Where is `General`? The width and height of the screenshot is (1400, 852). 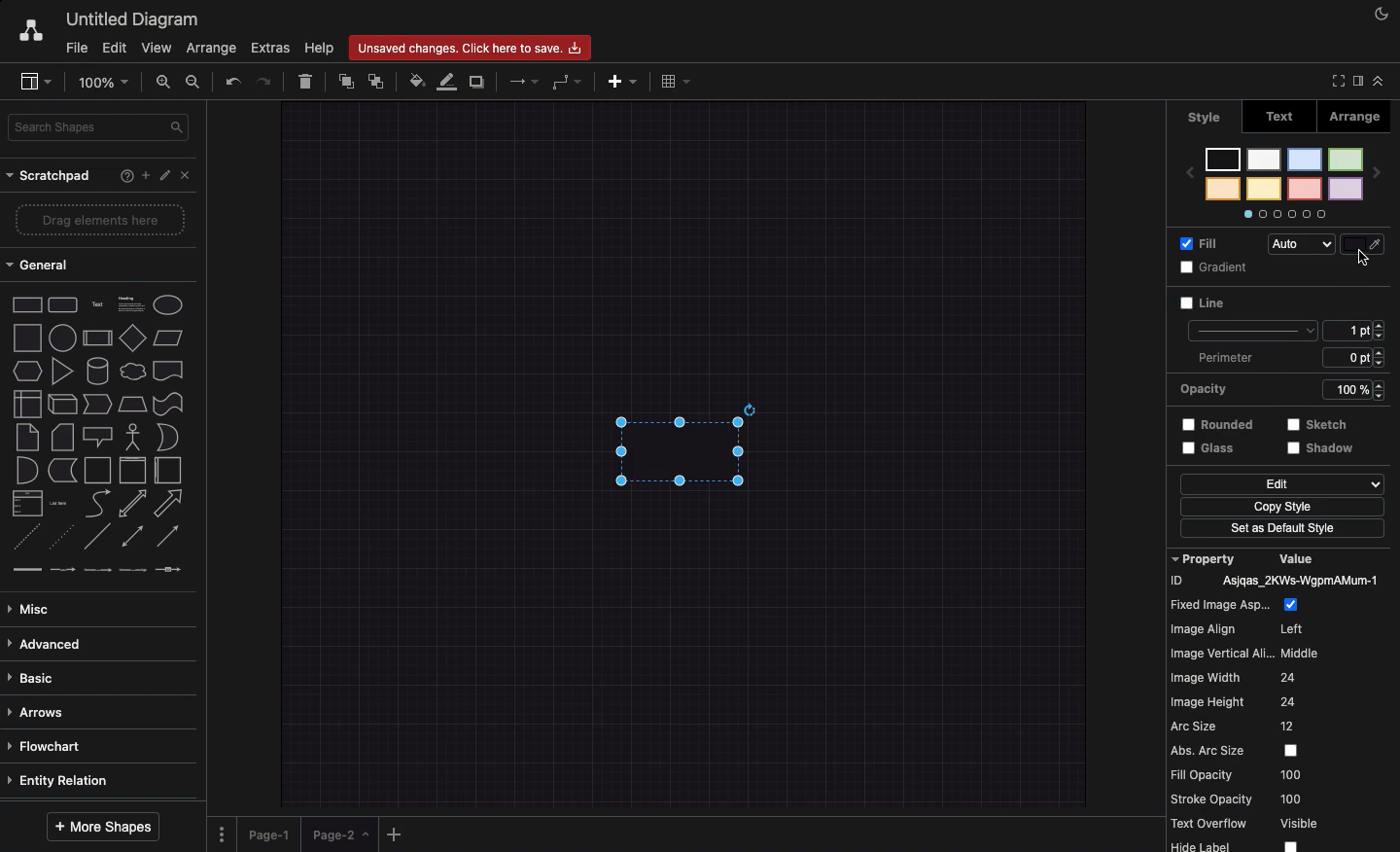 General is located at coordinates (40, 267).